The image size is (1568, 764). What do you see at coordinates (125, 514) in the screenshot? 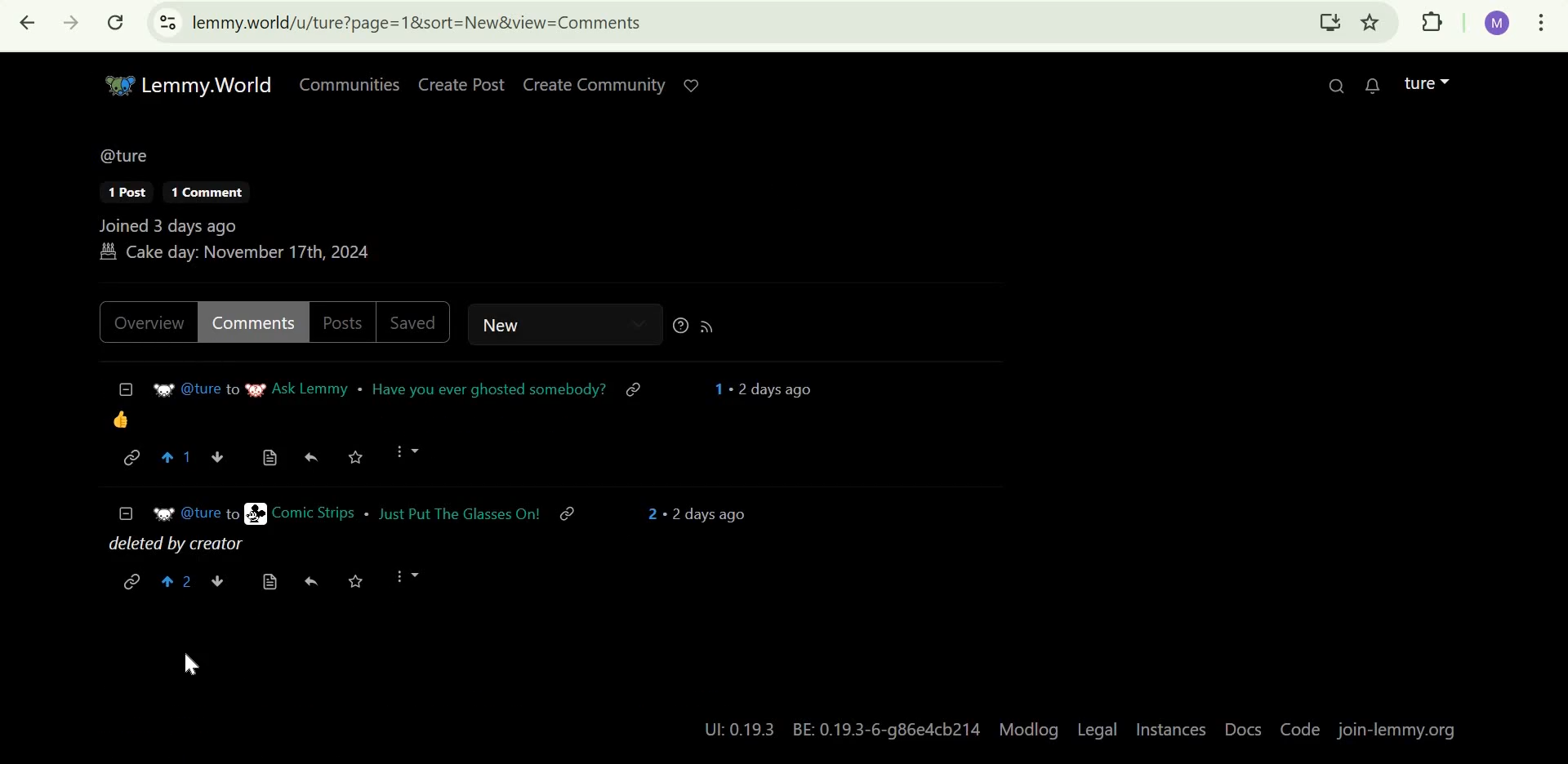
I see `collapse` at bounding box center [125, 514].